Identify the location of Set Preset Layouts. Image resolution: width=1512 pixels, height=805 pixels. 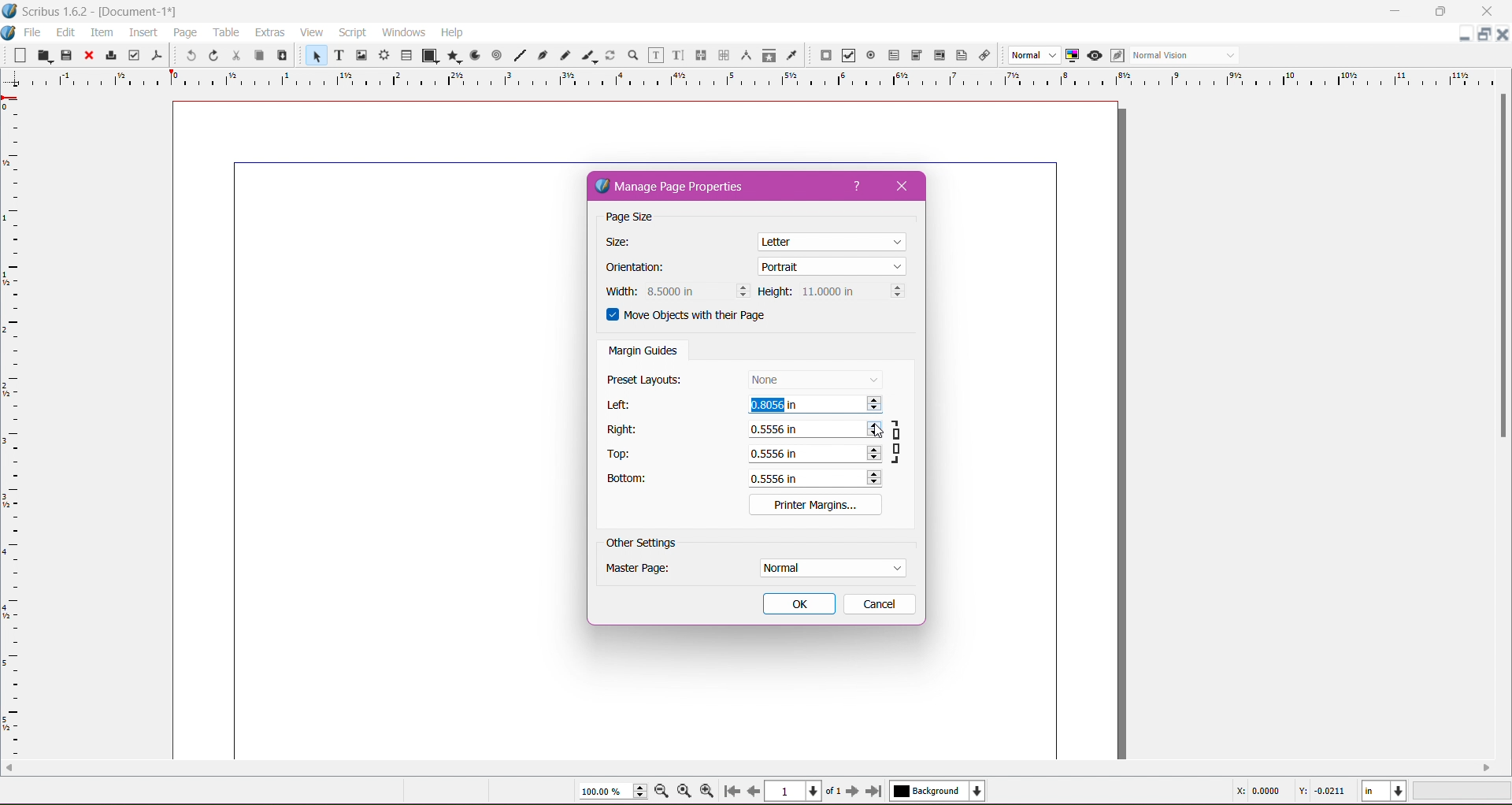
(814, 379).